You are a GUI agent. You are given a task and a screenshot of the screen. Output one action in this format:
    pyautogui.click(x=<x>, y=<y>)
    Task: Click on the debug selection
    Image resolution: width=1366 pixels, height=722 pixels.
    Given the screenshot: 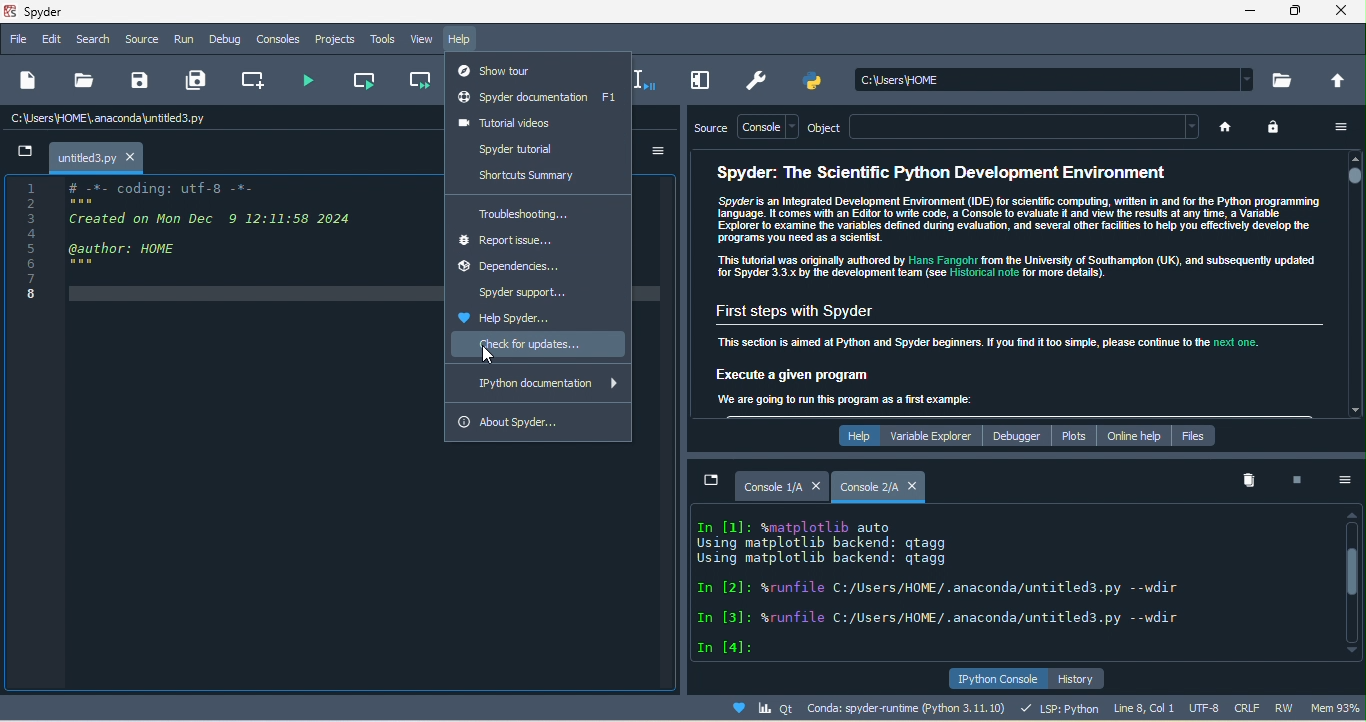 What is the action you would take?
    pyautogui.click(x=642, y=78)
    